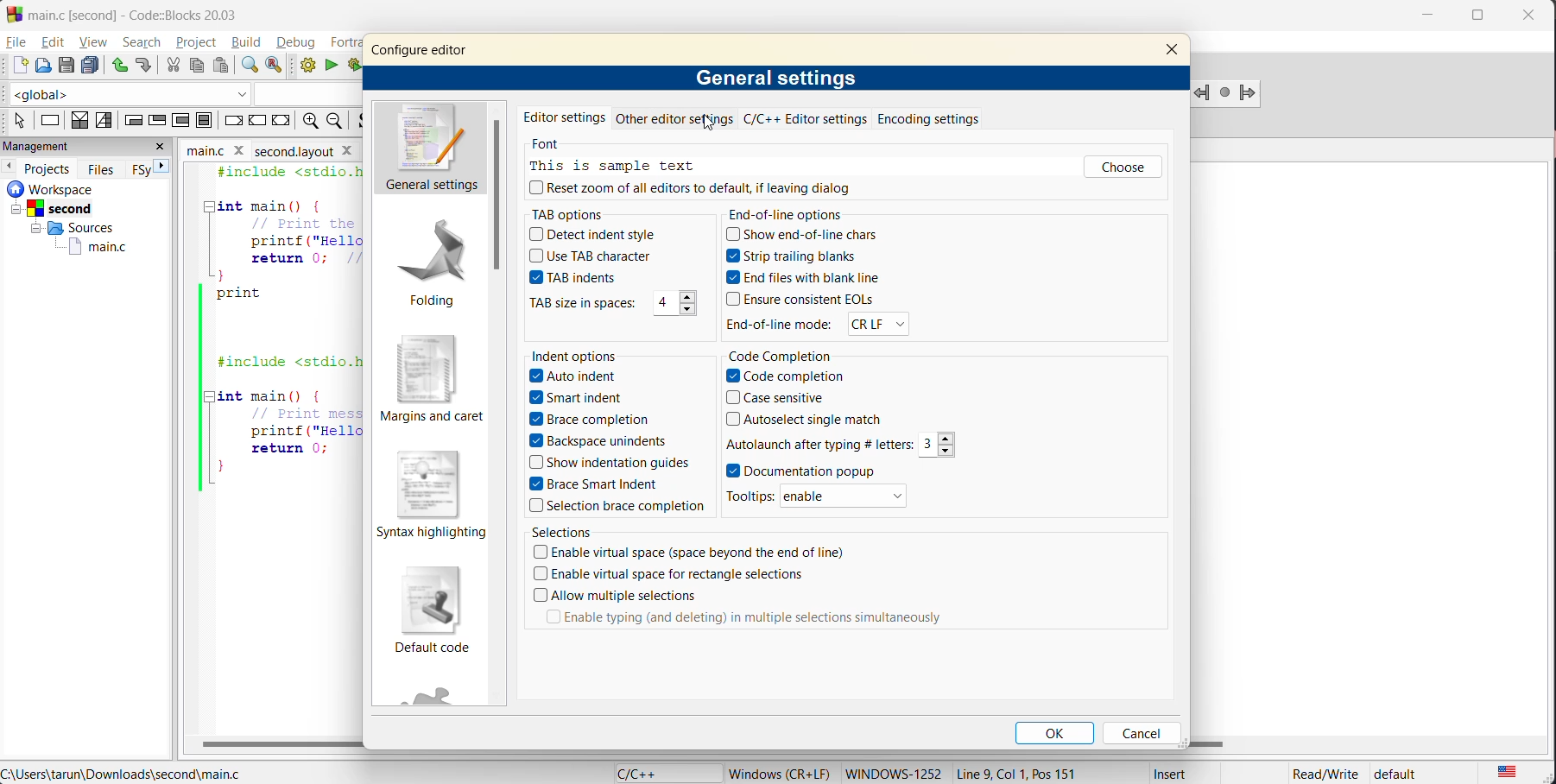 This screenshot has height=784, width=1556. I want to click on End-of-line mode, so click(782, 326).